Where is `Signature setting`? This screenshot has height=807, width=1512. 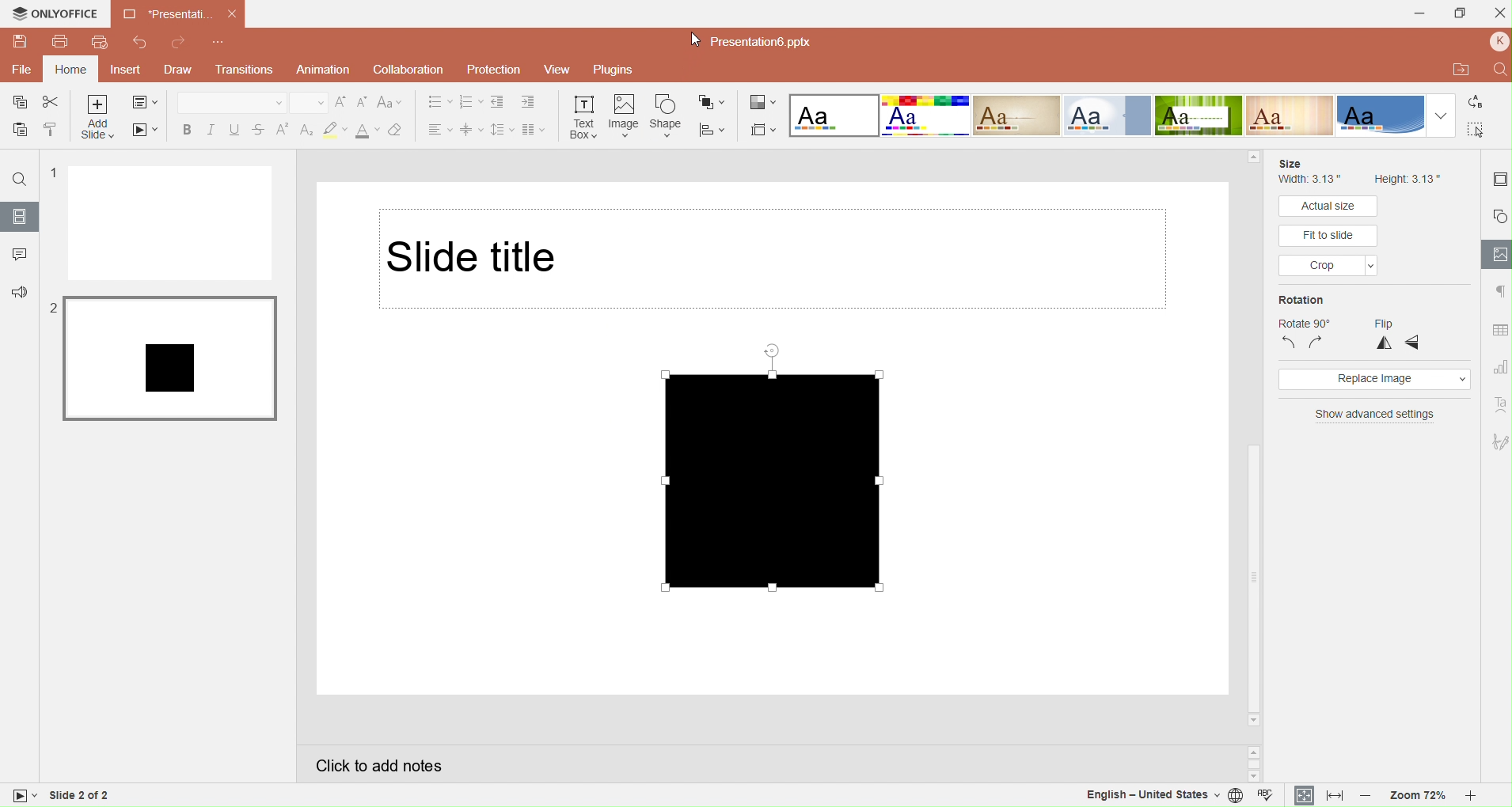 Signature setting is located at coordinates (1498, 438).